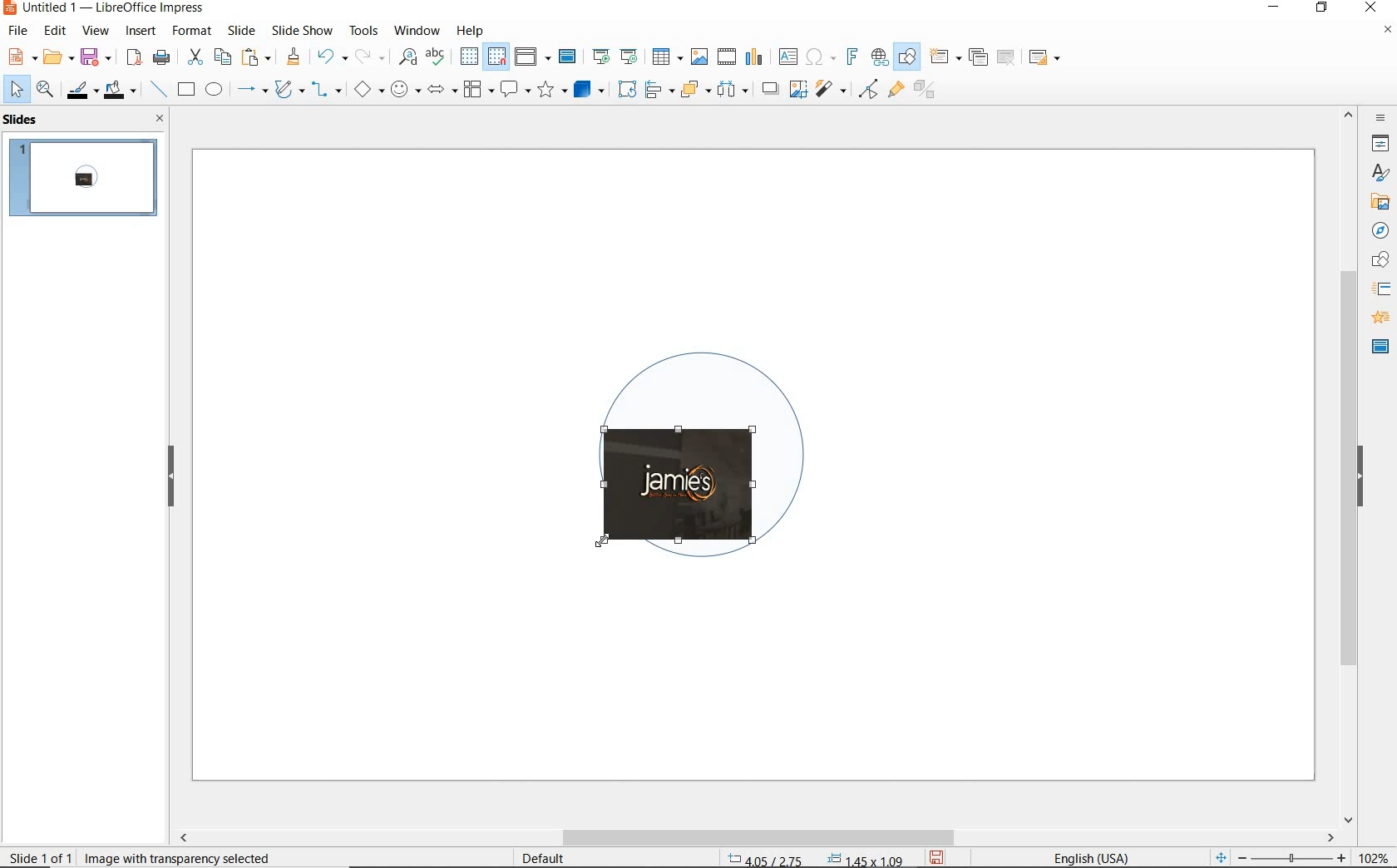 The image size is (1397, 868). What do you see at coordinates (329, 58) in the screenshot?
I see `undo` at bounding box center [329, 58].